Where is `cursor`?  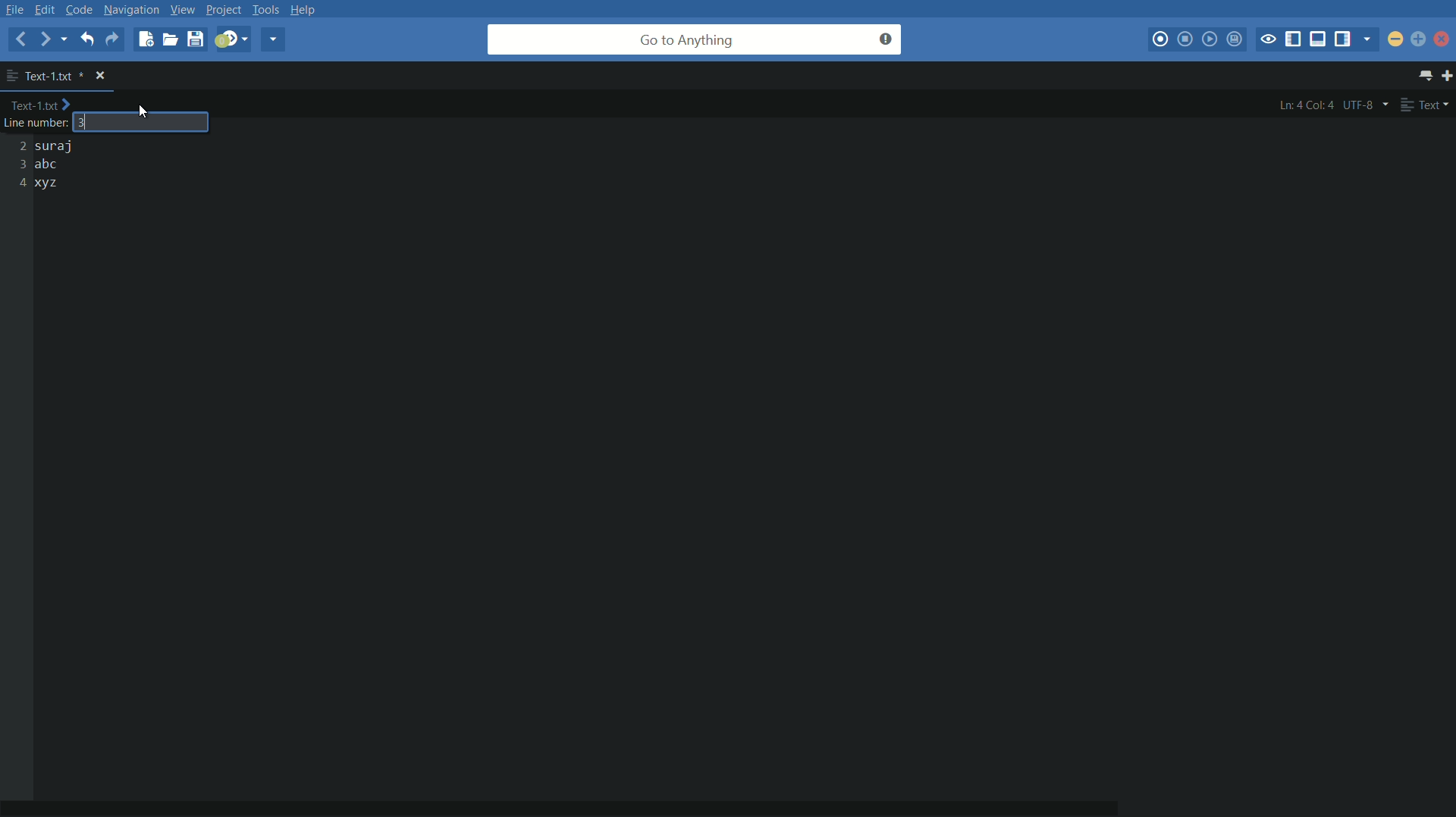
cursor is located at coordinates (147, 109).